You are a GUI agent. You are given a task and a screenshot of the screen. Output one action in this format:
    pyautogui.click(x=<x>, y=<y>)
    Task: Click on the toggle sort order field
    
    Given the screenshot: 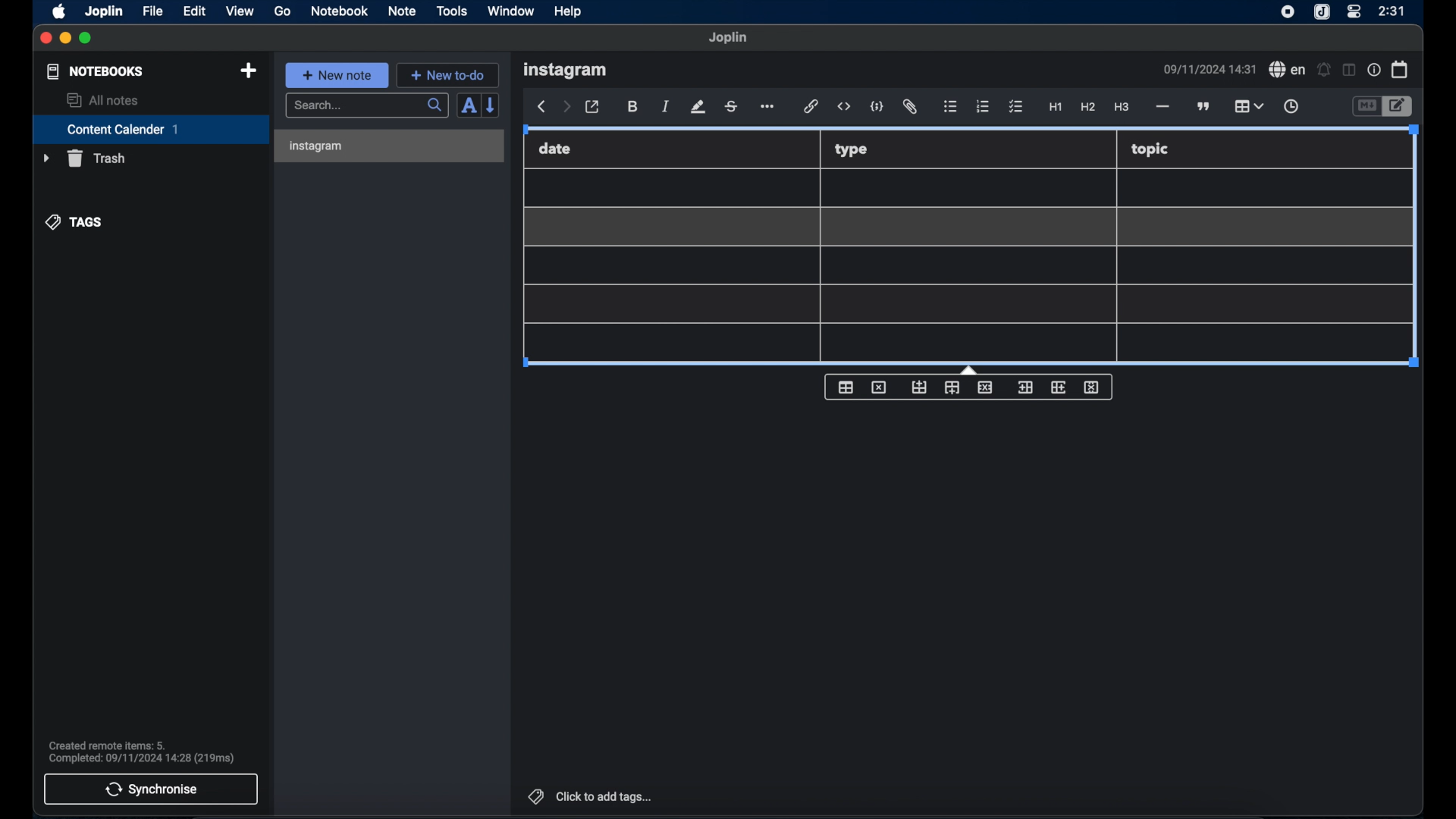 What is the action you would take?
    pyautogui.click(x=468, y=106)
    